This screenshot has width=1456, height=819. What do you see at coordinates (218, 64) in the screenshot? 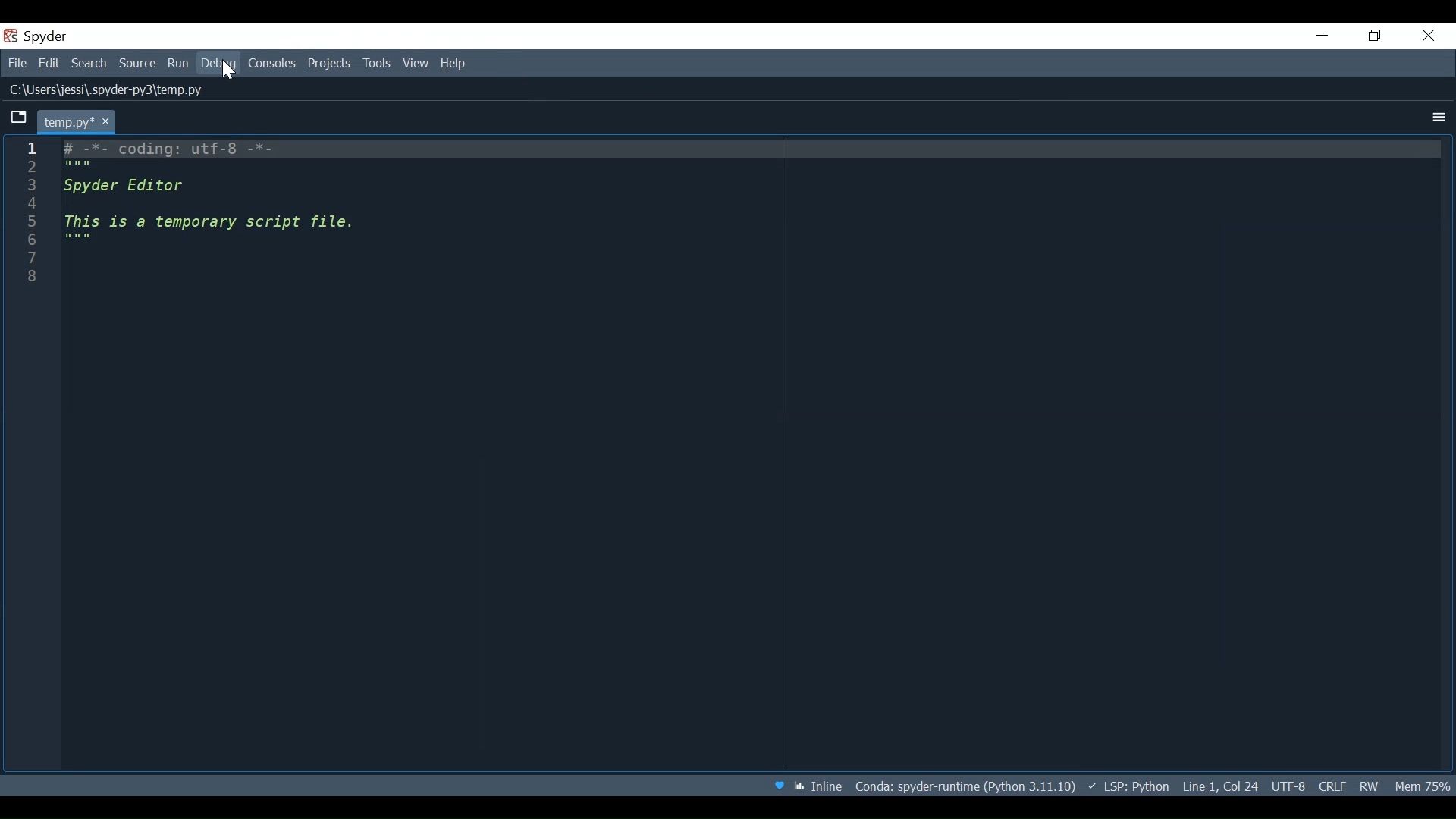
I see `Debug` at bounding box center [218, 64].